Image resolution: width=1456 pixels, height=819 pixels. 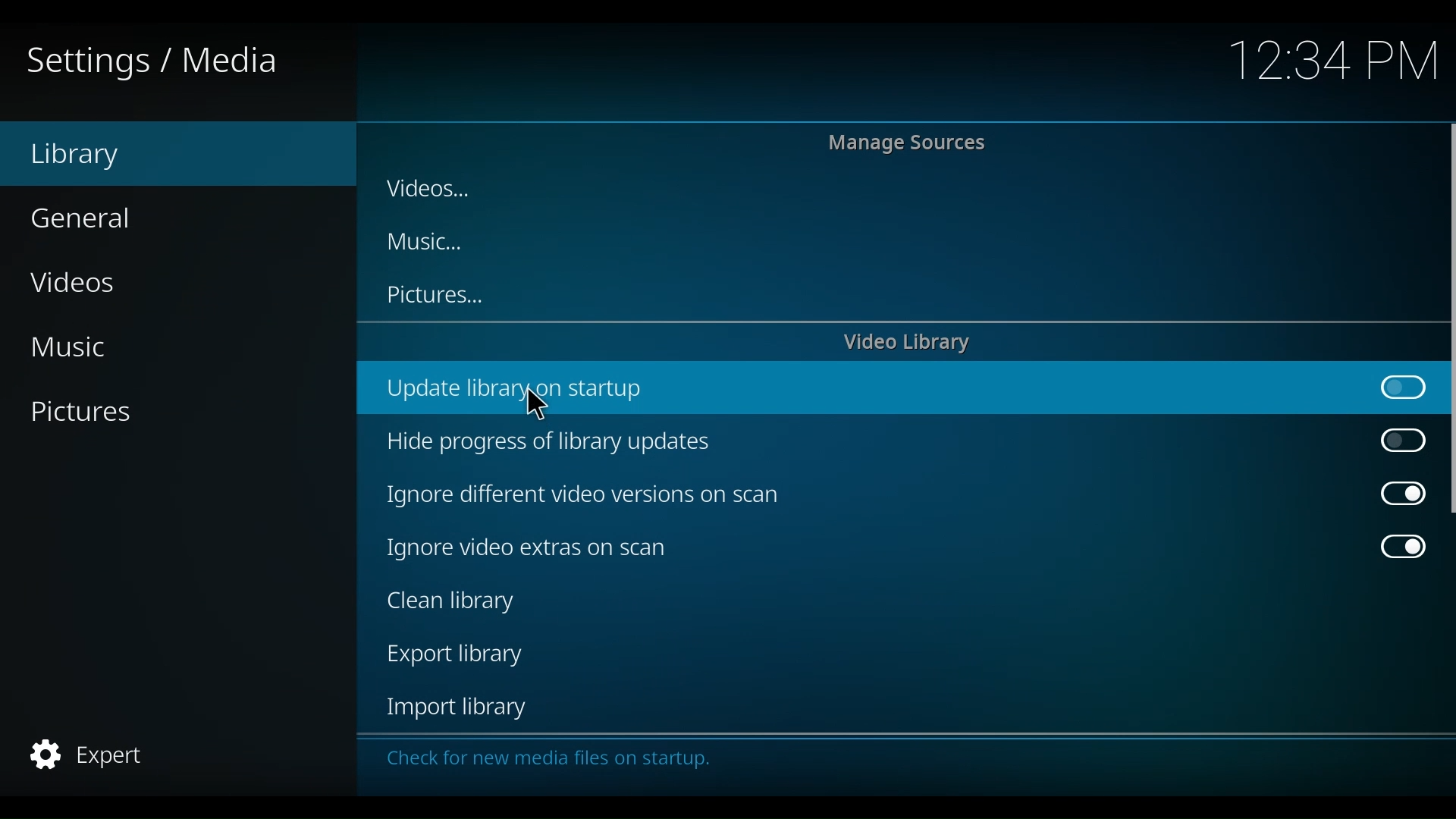 I want to click on Import library, so click(x=466, y=708).